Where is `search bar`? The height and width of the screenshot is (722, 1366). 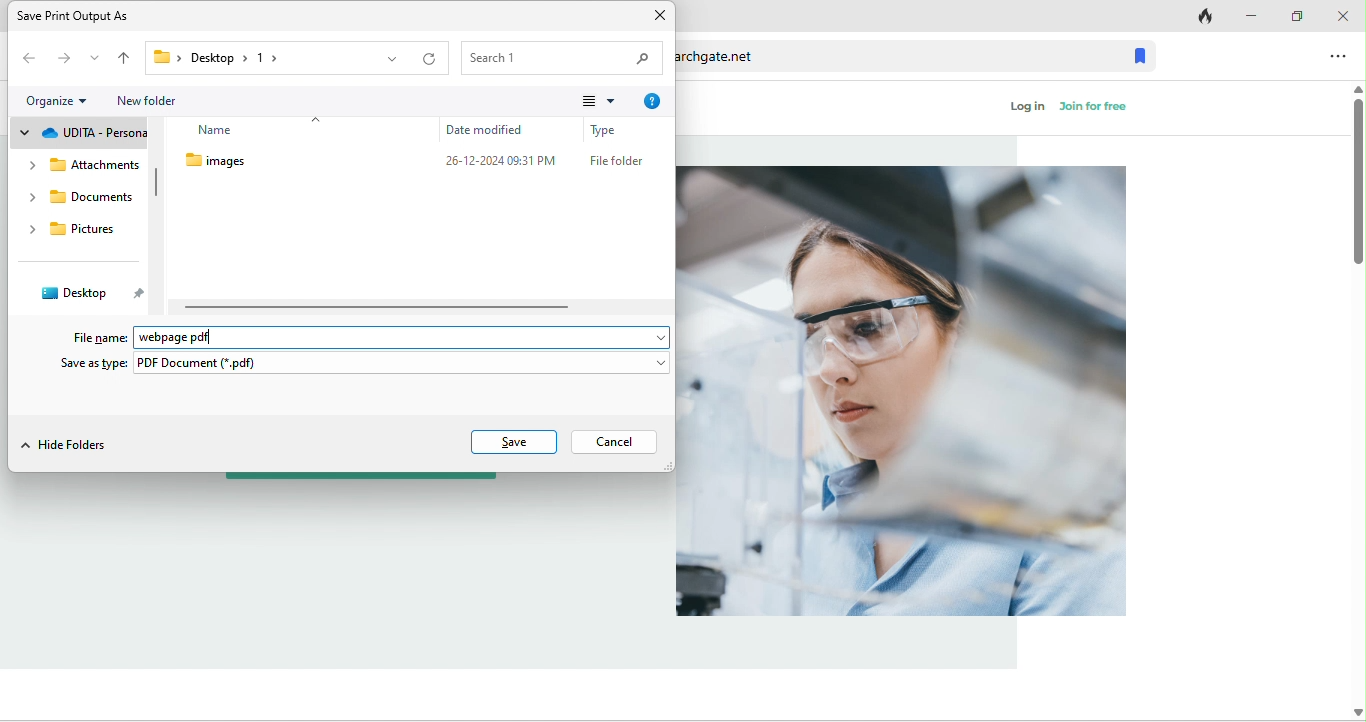
search bar is located at coordinates (563, 57).